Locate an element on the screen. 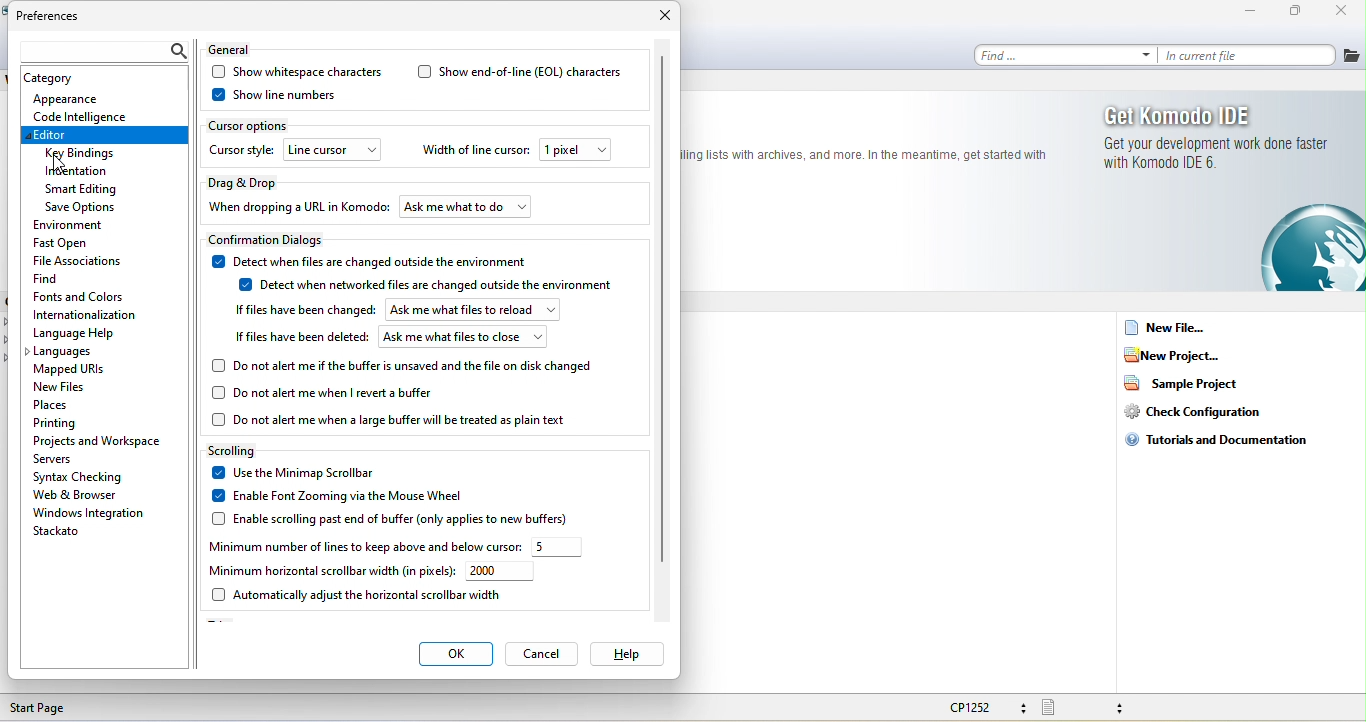  when dropping a url in komodo is located at coordinates (298, 206).